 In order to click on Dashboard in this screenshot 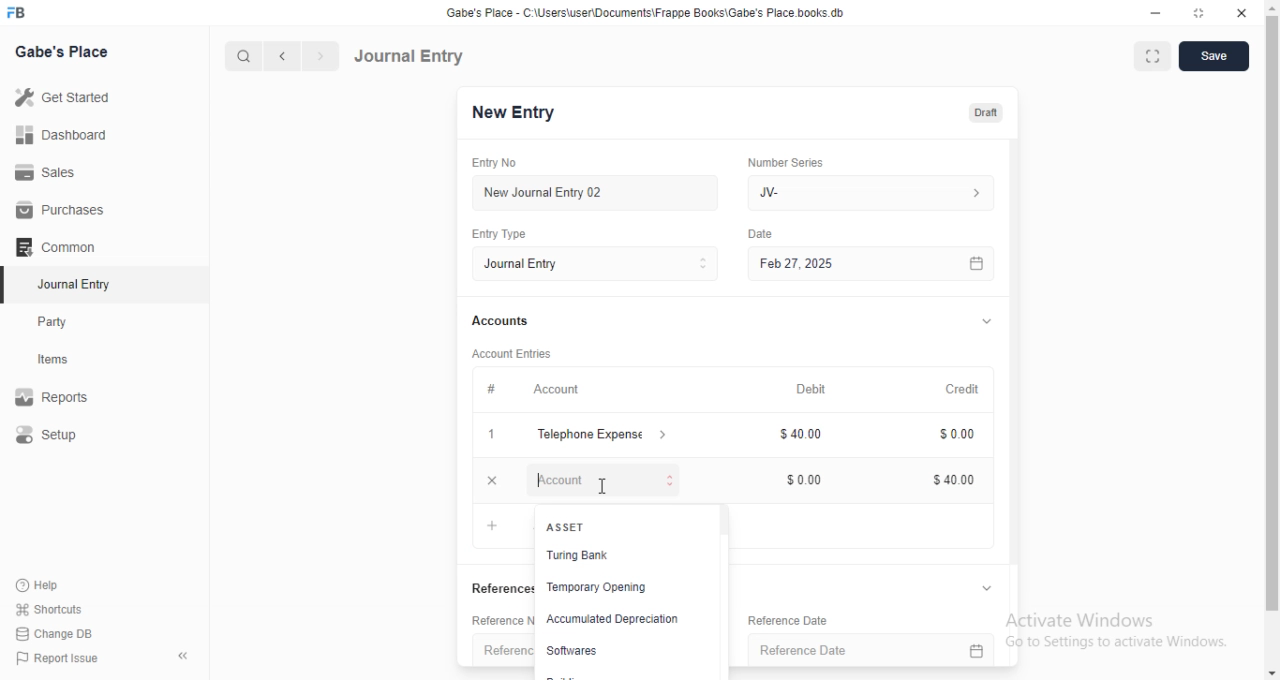, I will do `click(62, 135)`.